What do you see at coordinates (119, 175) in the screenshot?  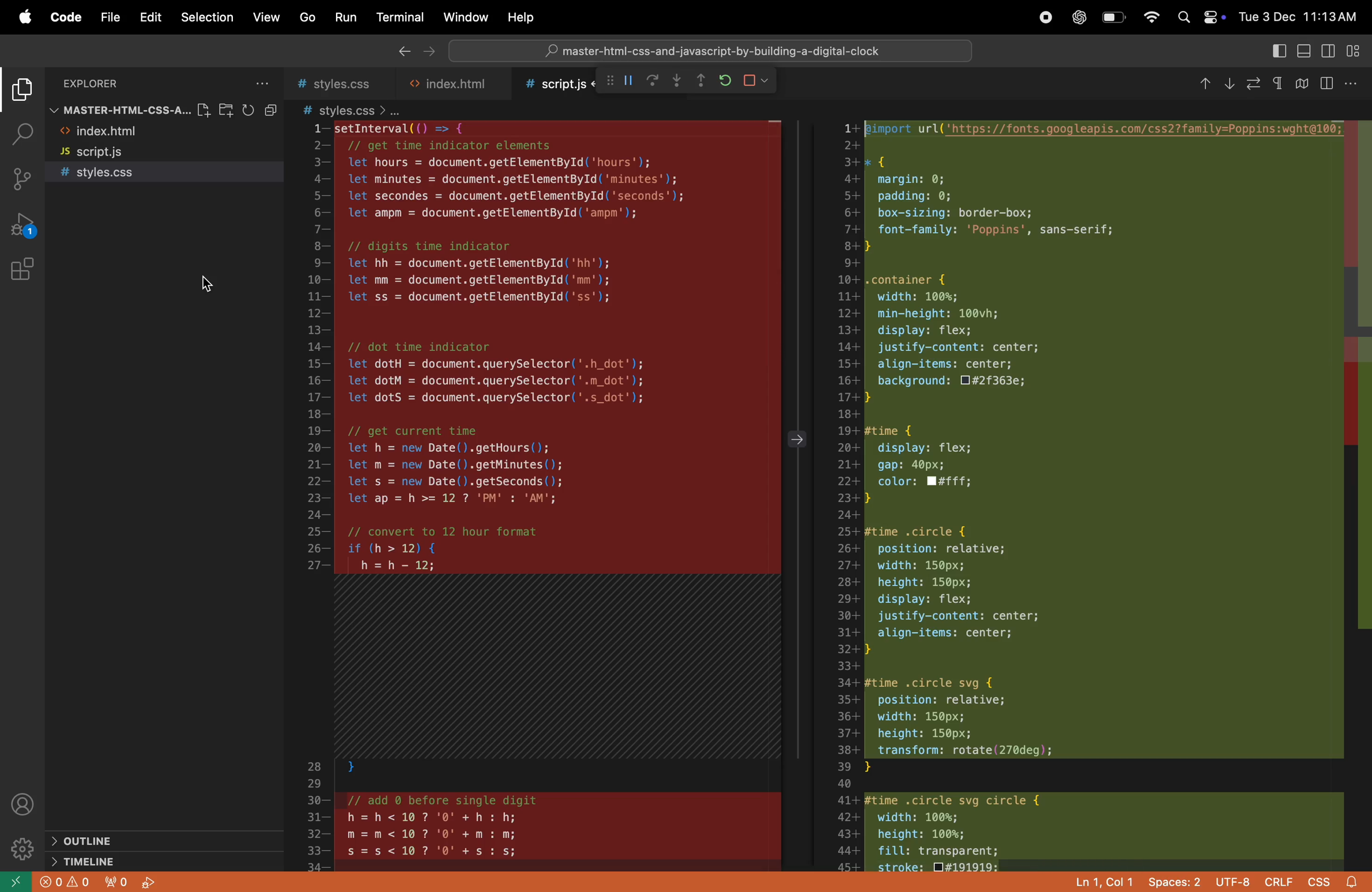 I see `style.css` at bounding box center [119, 175].